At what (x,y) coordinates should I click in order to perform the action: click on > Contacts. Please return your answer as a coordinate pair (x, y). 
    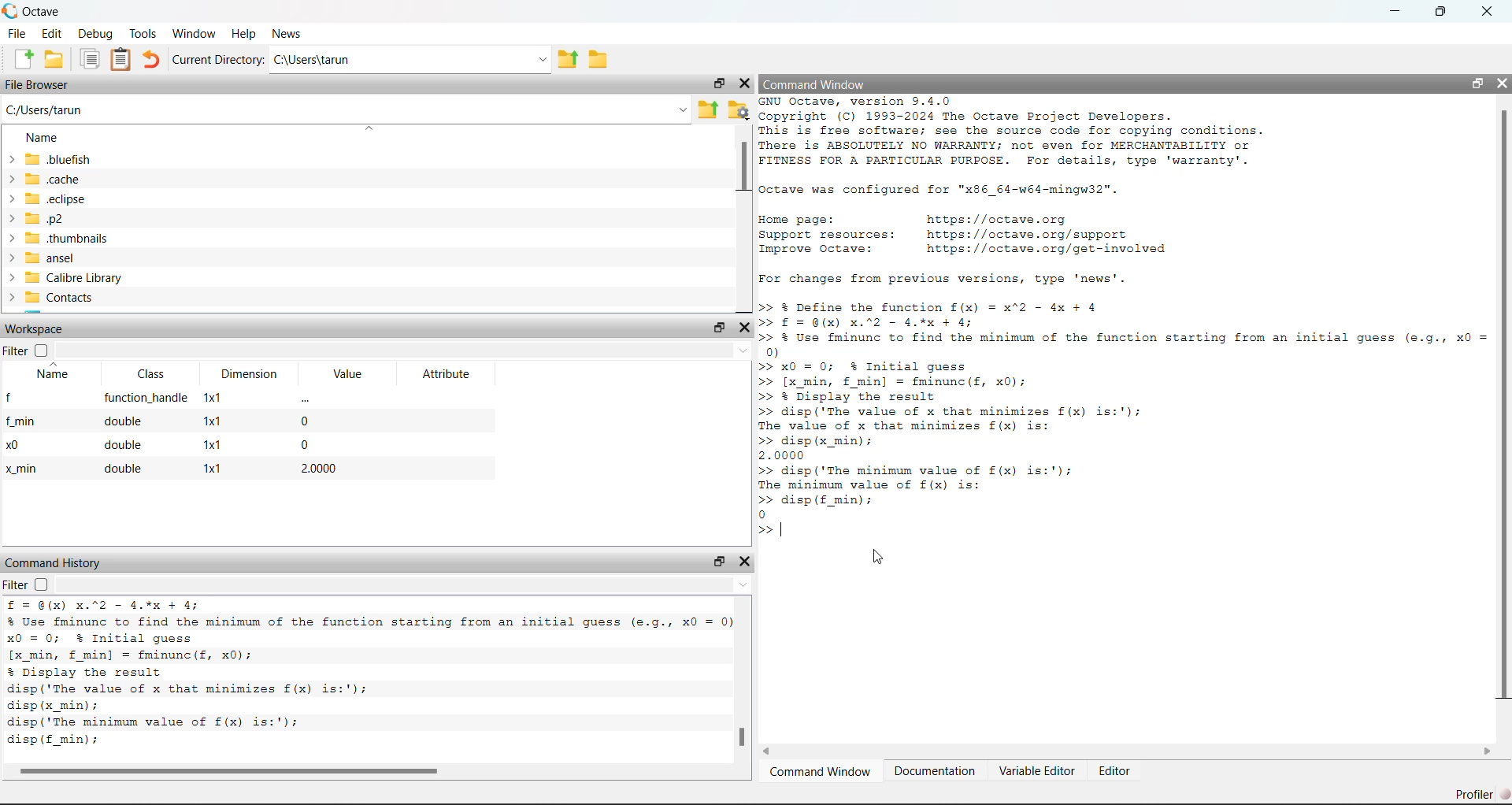
    Looking at the image, I should click on (55, 298).